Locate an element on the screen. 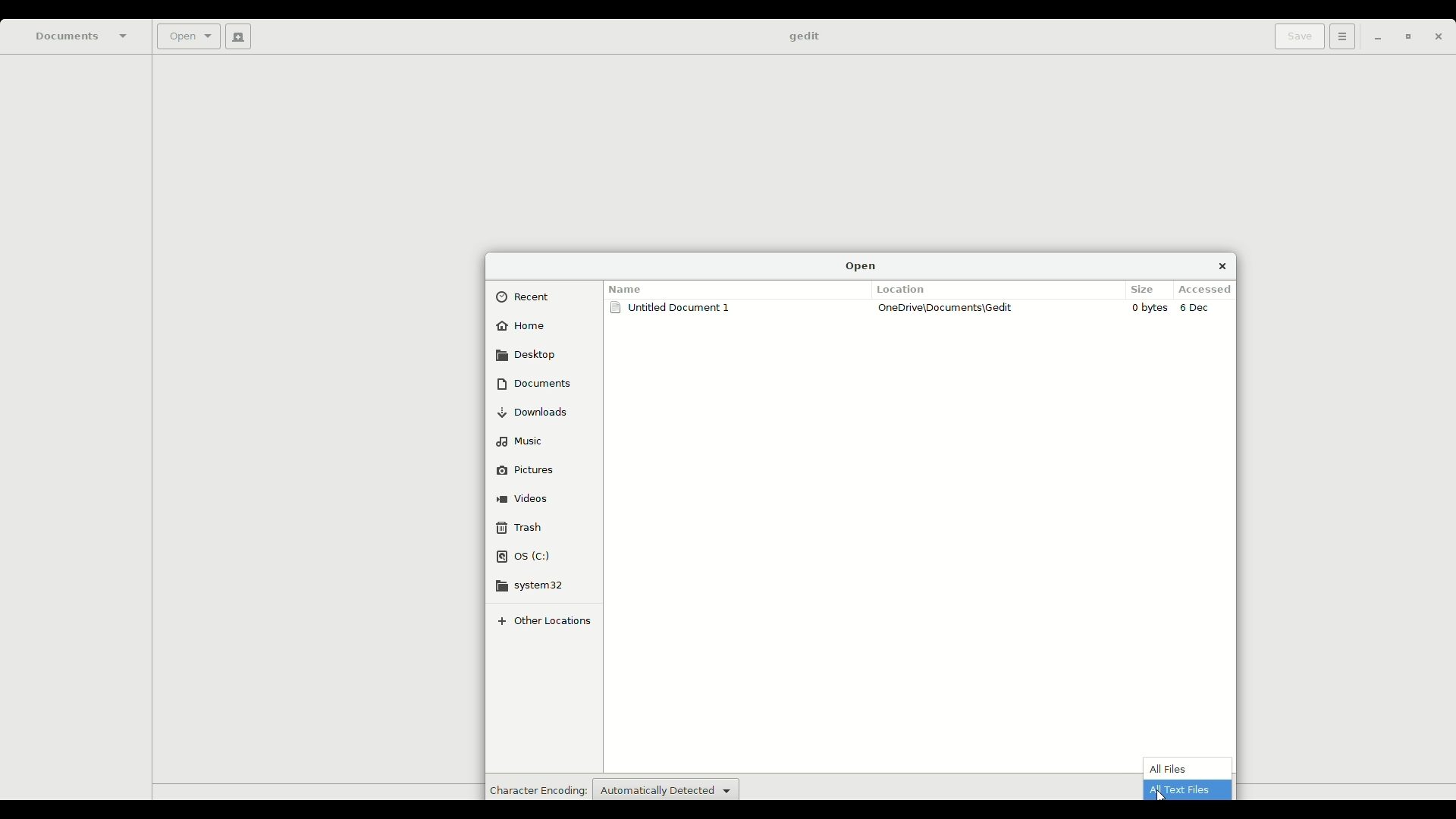 This screenshot has height=819, width=1456. Documents is located at coordinates (83, 36).